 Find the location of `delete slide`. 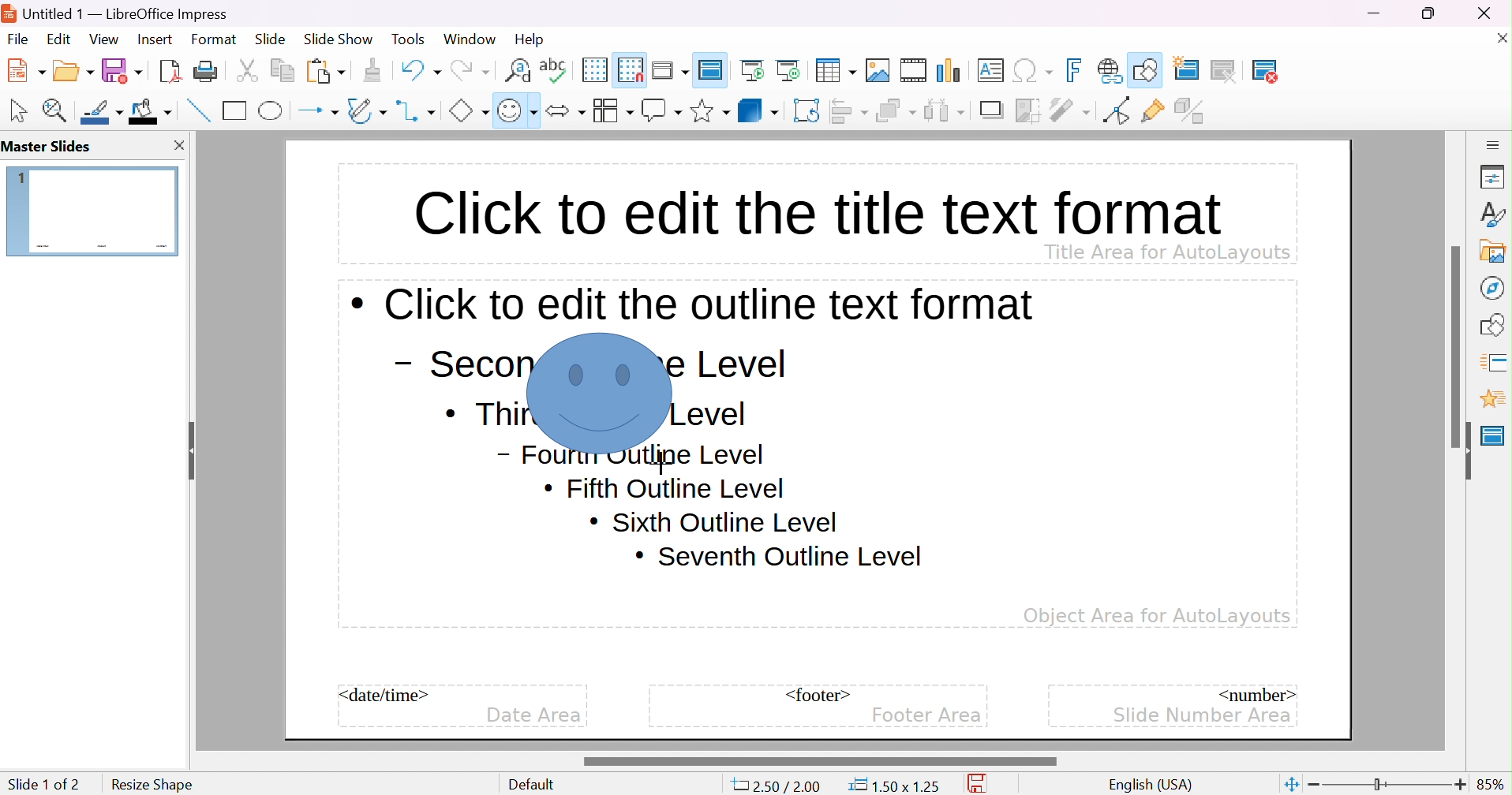

delete slide is located at coordinates (1275, 71).